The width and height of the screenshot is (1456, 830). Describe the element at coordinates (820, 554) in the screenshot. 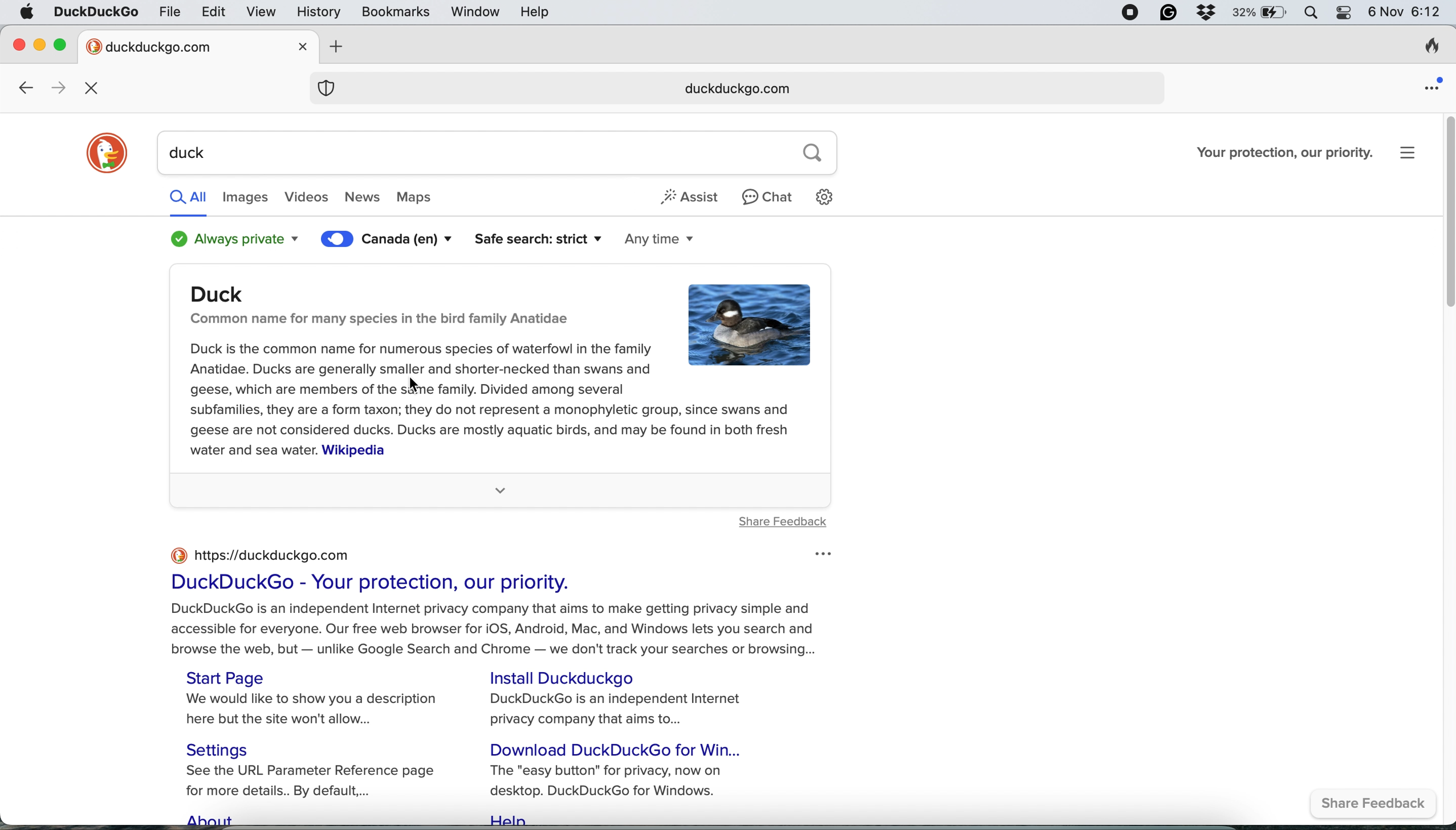

I see `options` at that location.